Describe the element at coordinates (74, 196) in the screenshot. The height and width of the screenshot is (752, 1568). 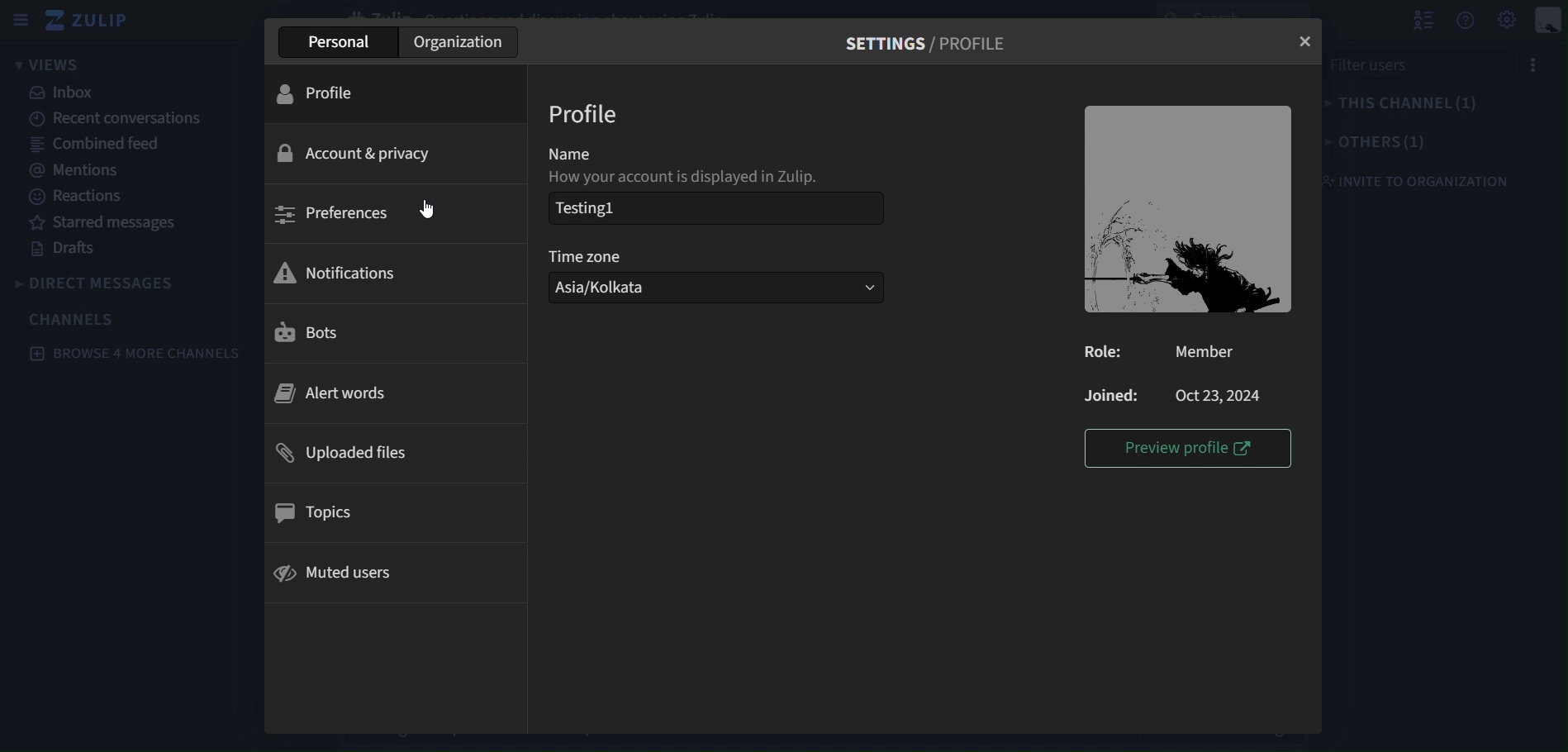
I see `reactions` at that location.